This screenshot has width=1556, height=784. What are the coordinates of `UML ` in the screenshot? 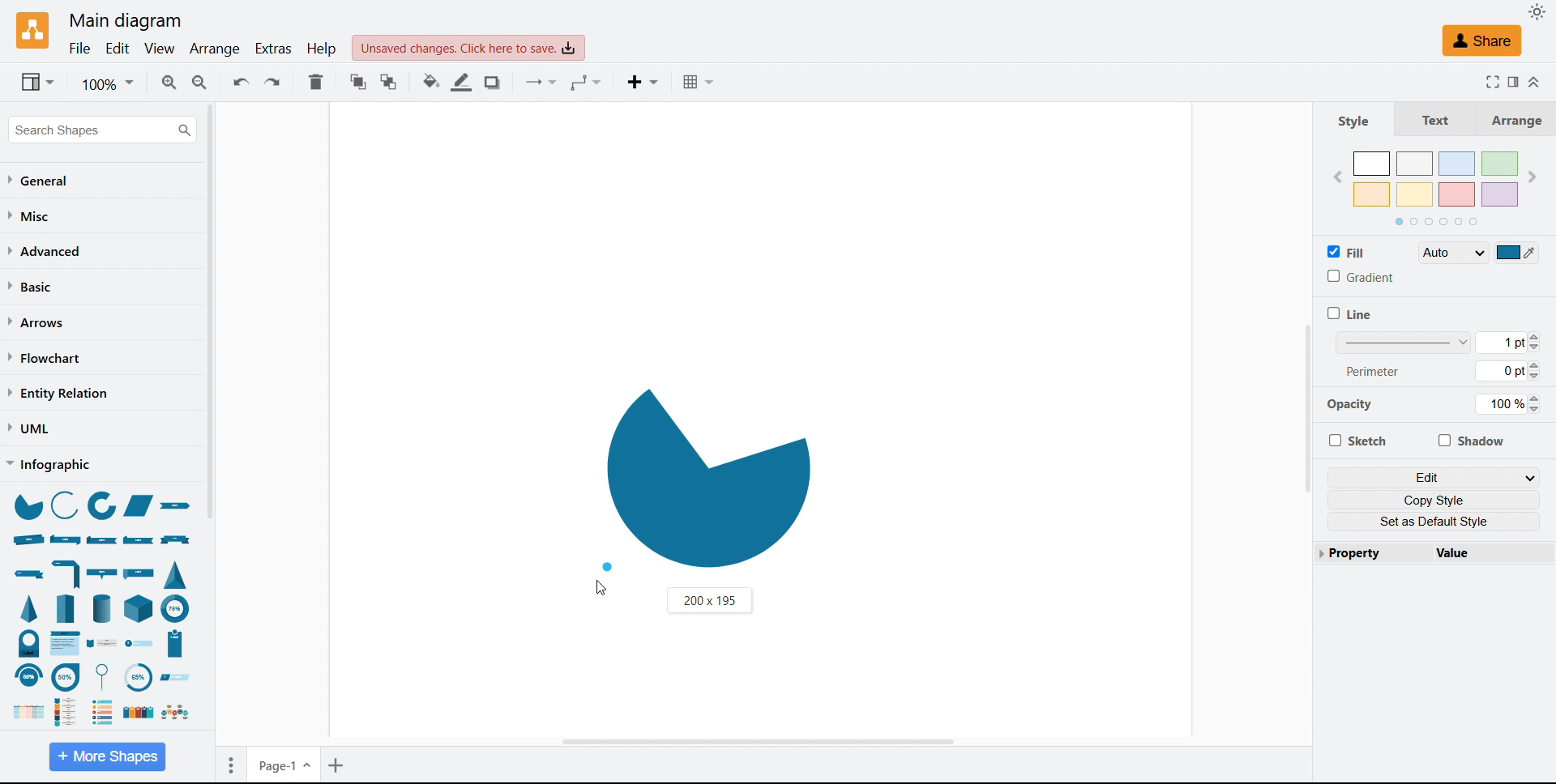 It's located at (28, 428).